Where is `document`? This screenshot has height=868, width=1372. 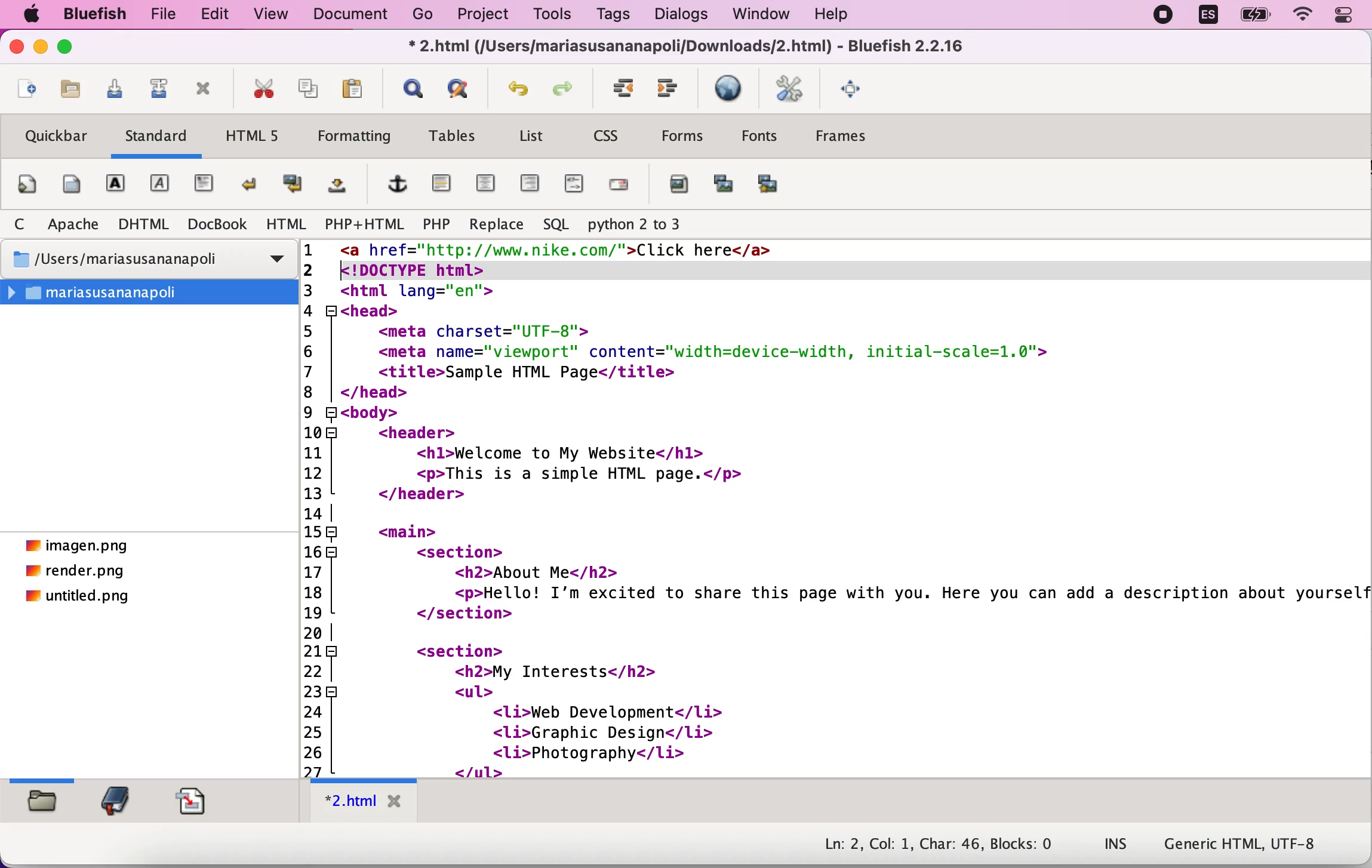 document is located at coordinates (352, 17).